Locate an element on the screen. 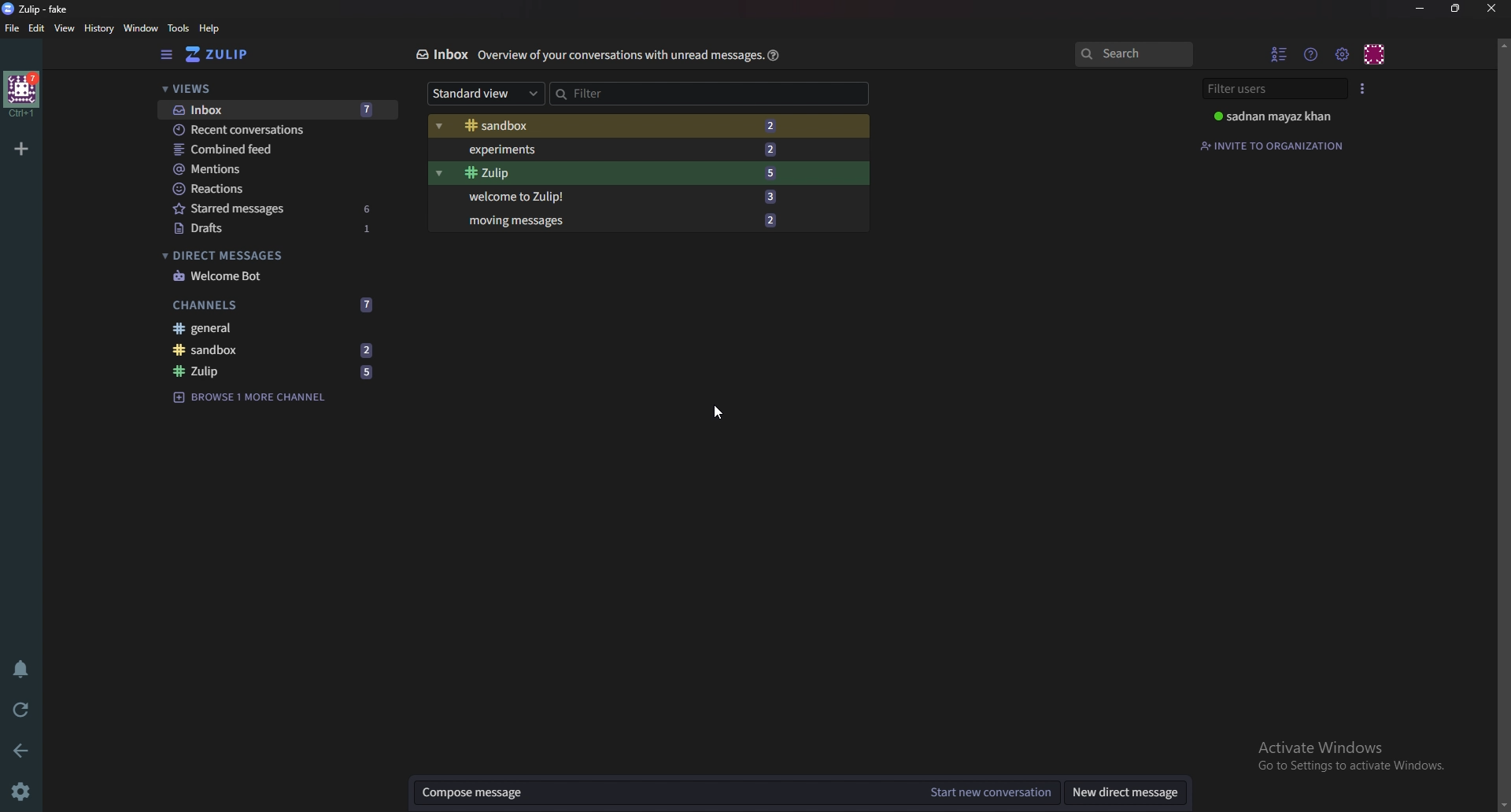  Reload is located at coordinates (24, 709).